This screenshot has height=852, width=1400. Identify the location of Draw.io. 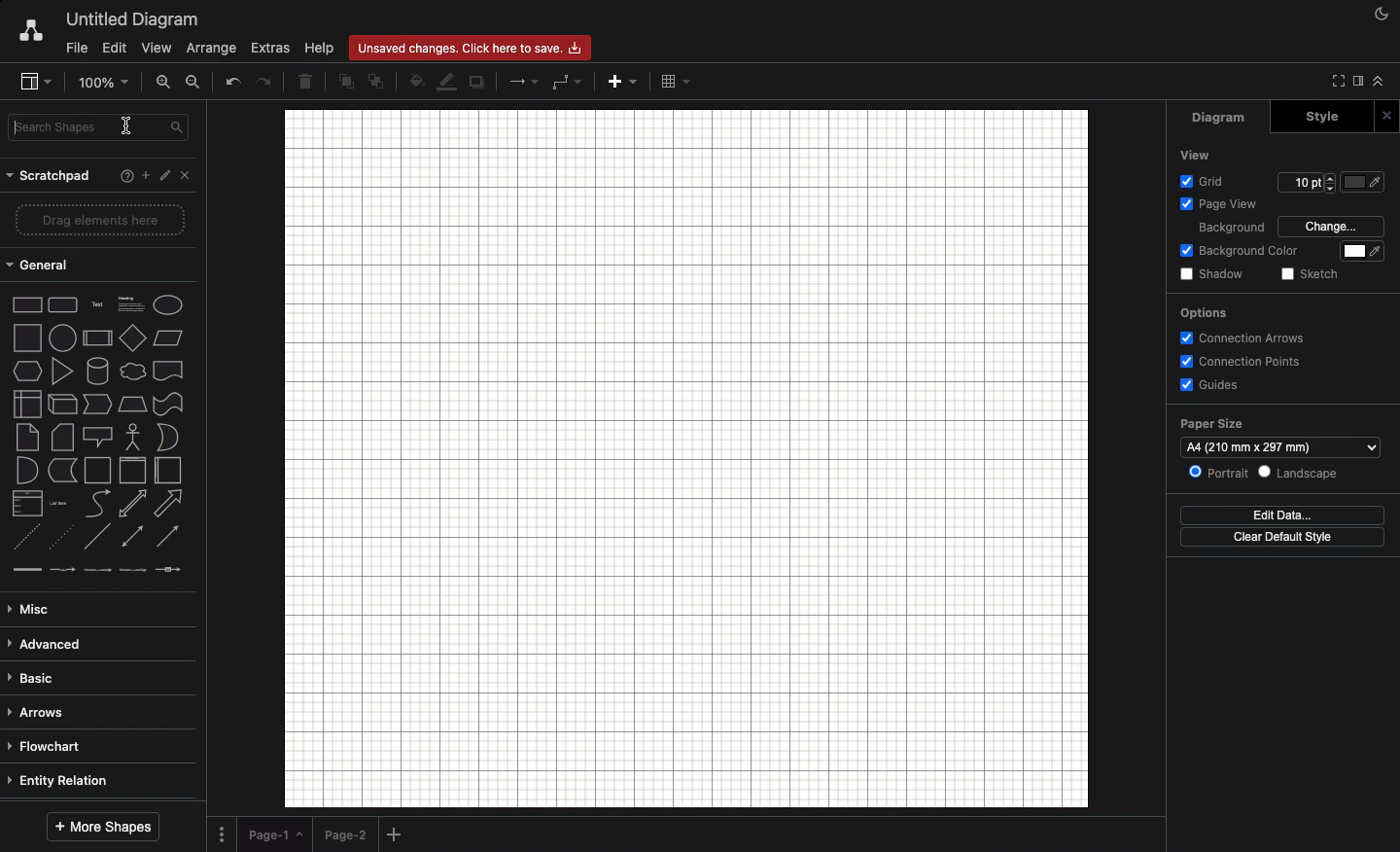
(30, 32).